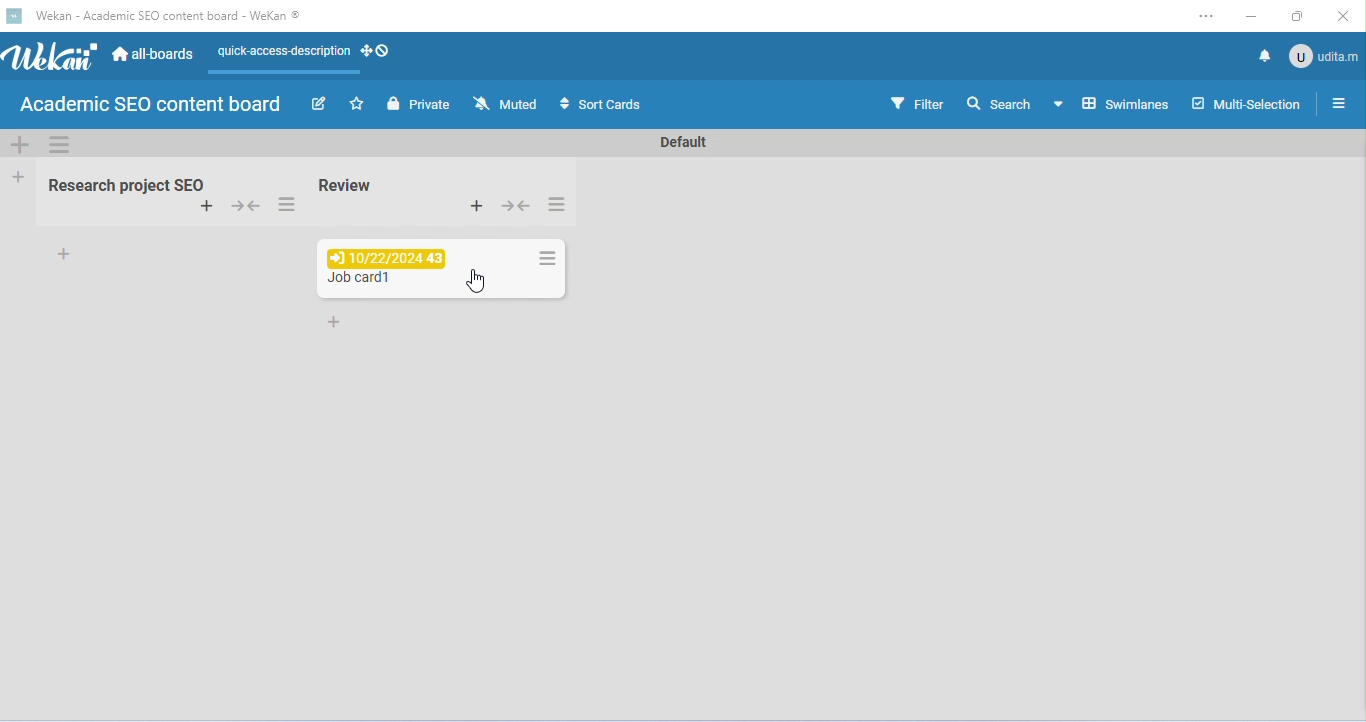 This screenshot has width=1366, height=722. I want to click on wekan logo, so click(13, 17).